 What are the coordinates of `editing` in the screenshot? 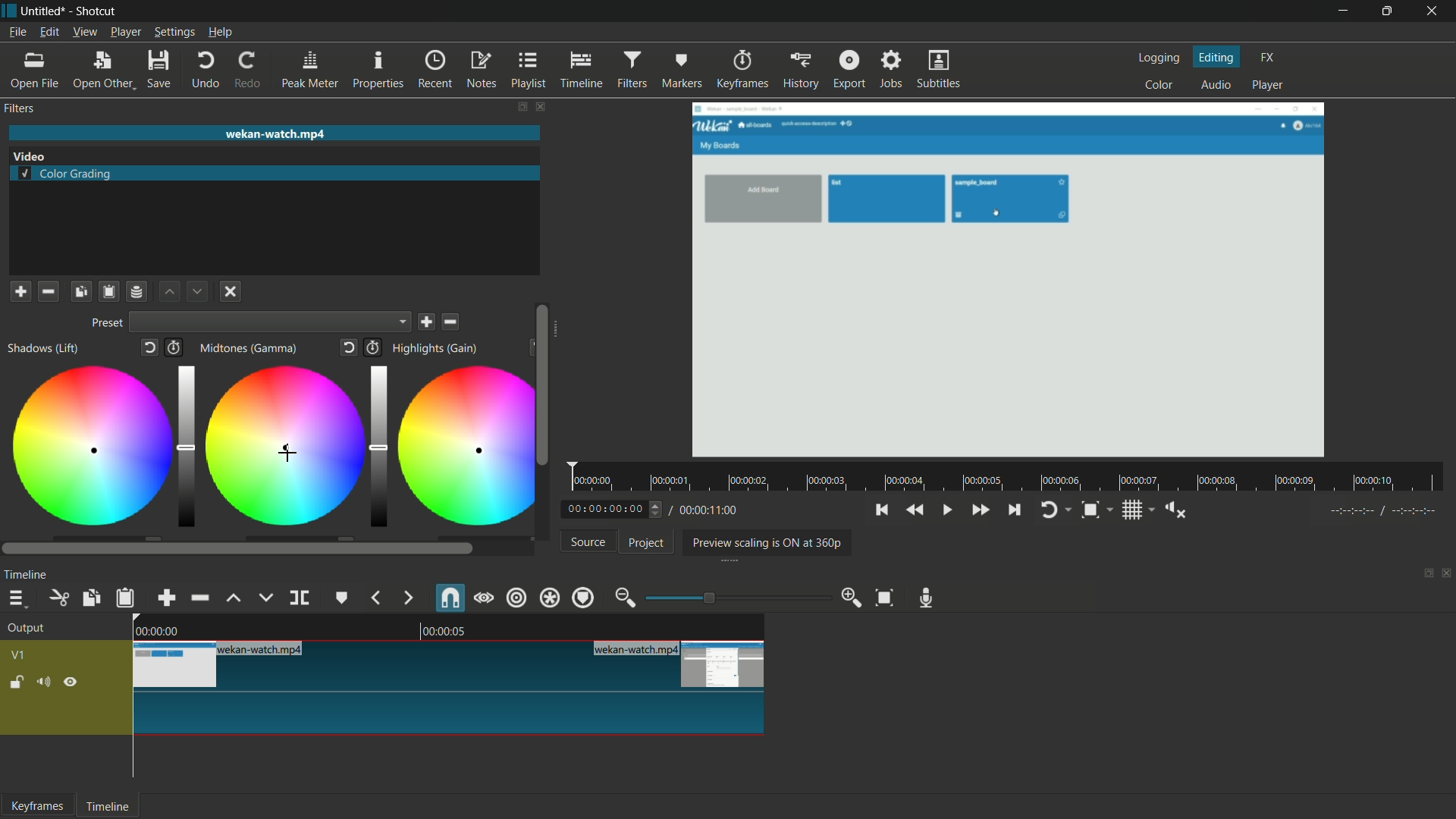 It's located at (1217, 57).